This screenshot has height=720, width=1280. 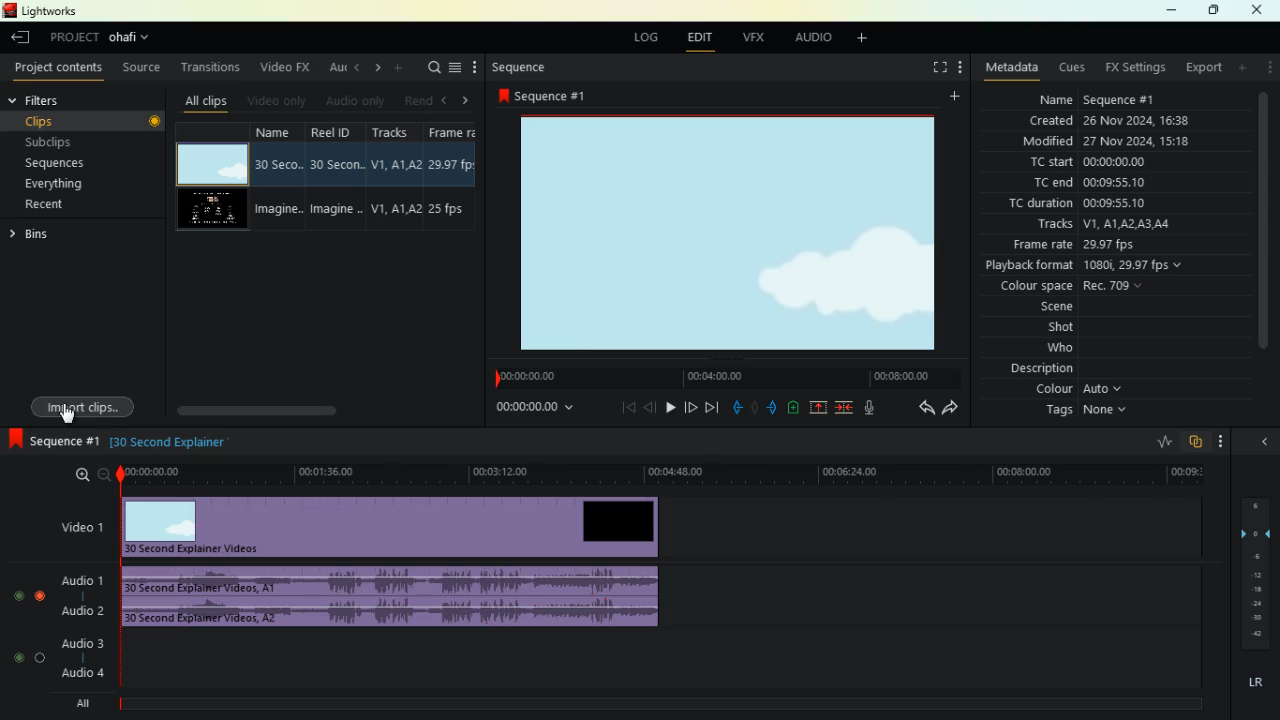 What do you see at coordinates (1075, 246) in the screenshot?
I see `frame rate` at bounding box center [1075, 246].